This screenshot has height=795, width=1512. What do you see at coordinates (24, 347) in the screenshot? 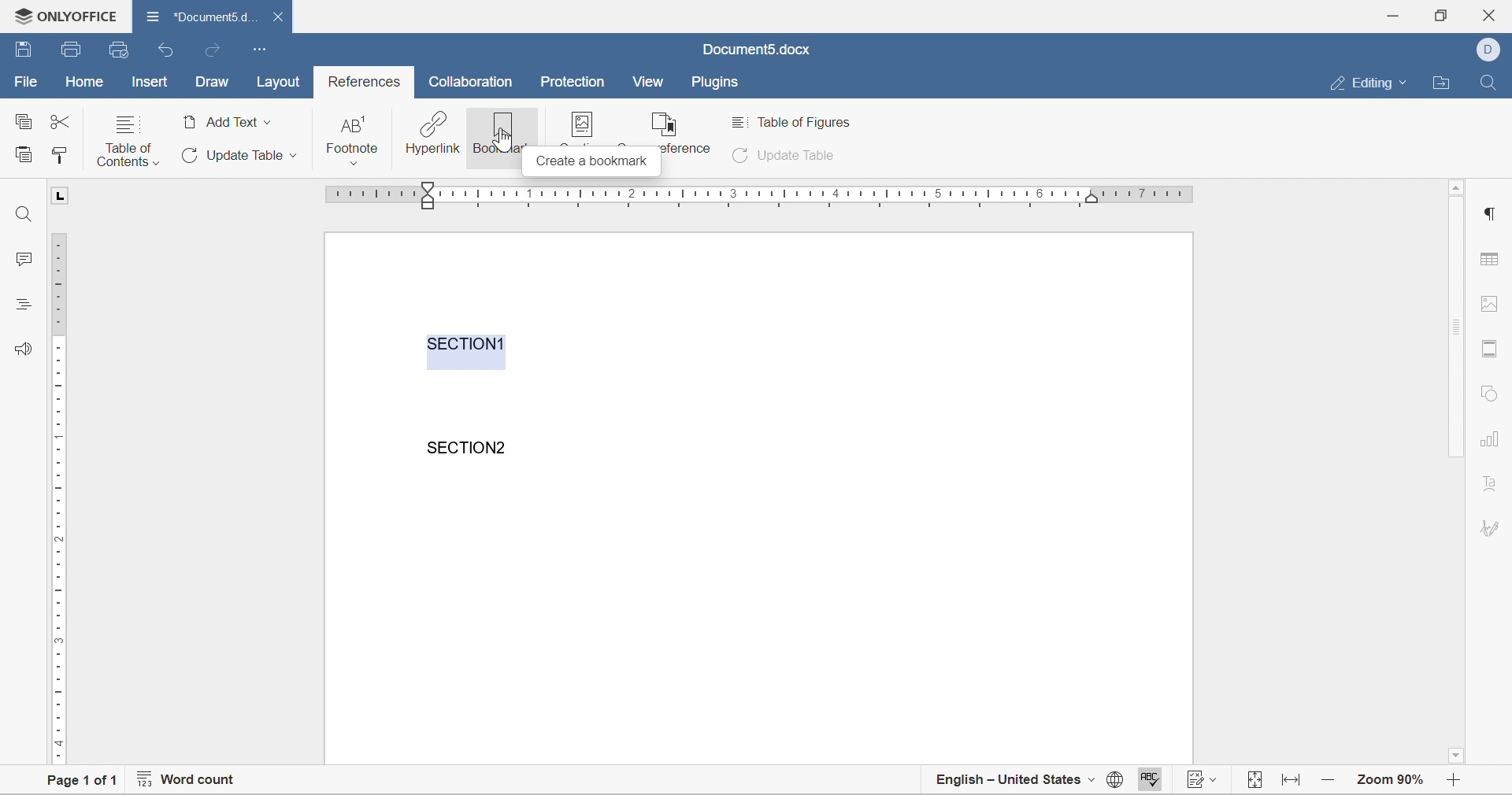
I see `feedback and support` at bounding box center [24, 347].